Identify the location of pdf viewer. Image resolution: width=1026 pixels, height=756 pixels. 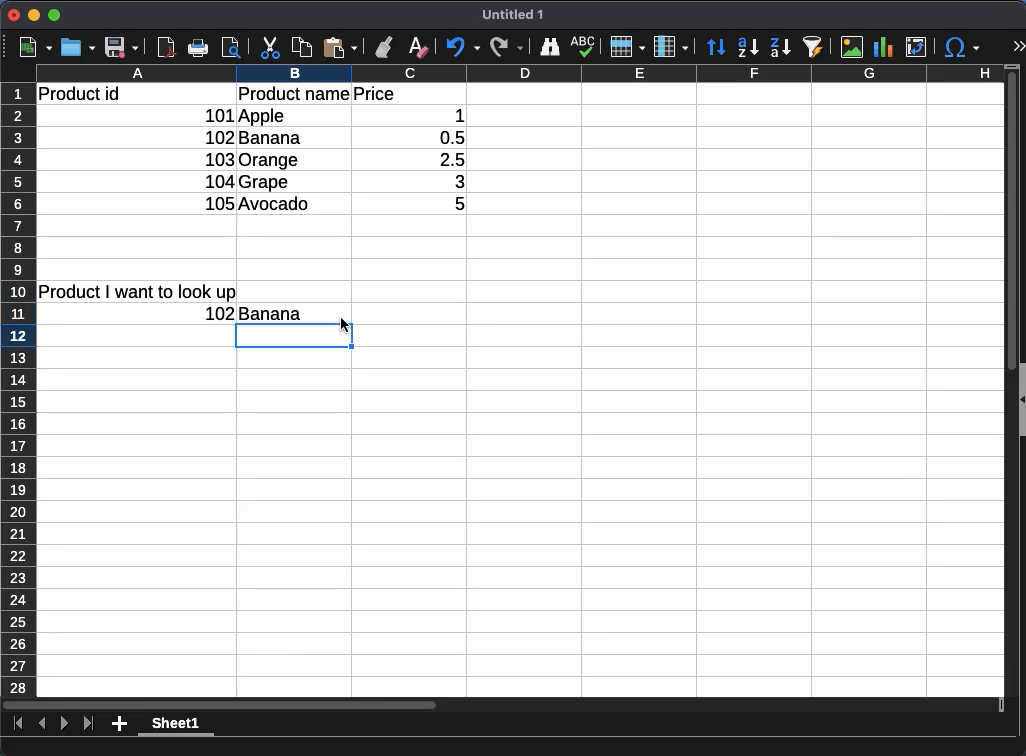
(166, 47).